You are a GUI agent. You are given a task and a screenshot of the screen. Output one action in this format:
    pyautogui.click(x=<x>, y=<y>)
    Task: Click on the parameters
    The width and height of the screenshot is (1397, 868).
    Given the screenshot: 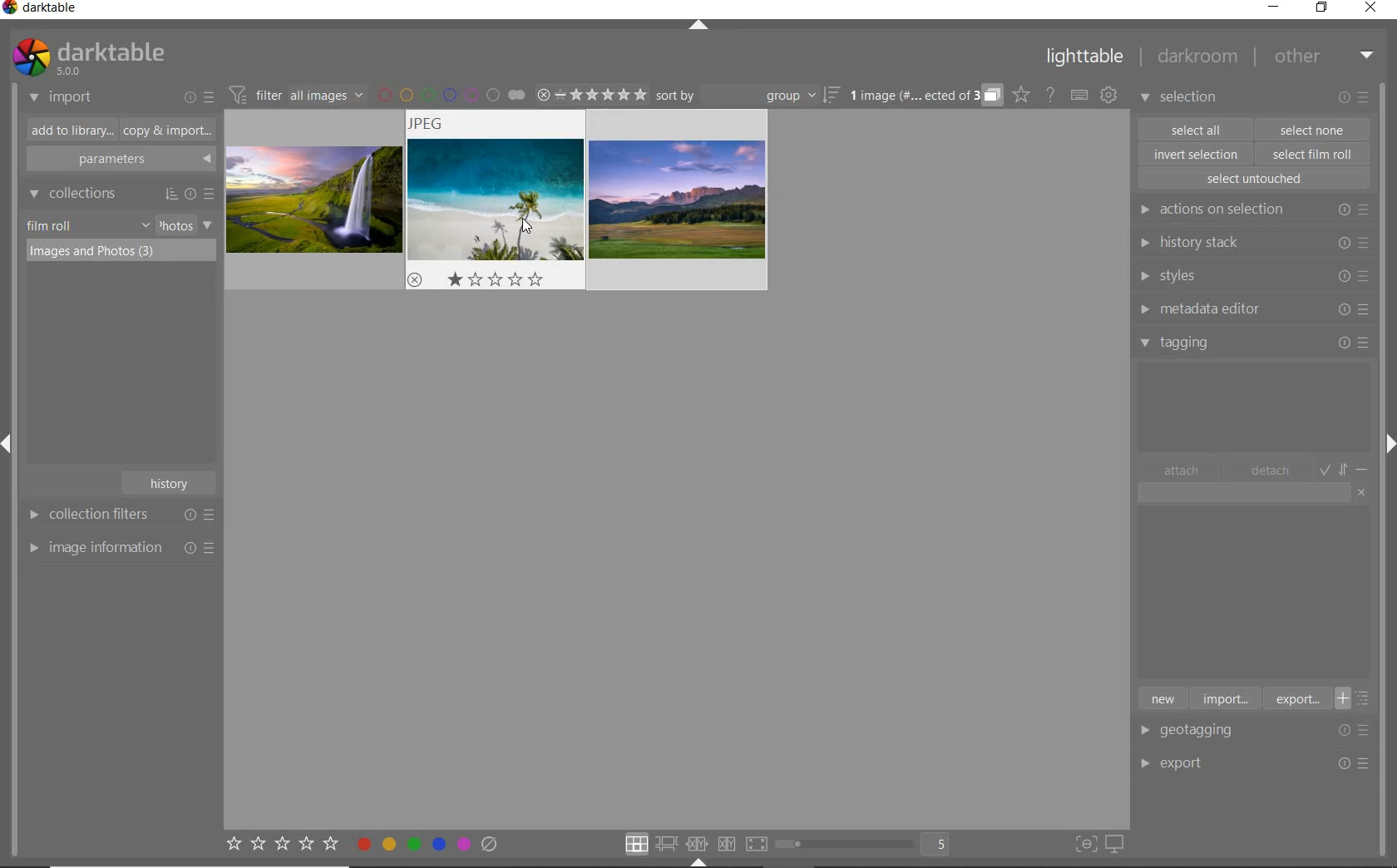 What is the action you would take?
    pyautogui.click(x=119, y=160)
    